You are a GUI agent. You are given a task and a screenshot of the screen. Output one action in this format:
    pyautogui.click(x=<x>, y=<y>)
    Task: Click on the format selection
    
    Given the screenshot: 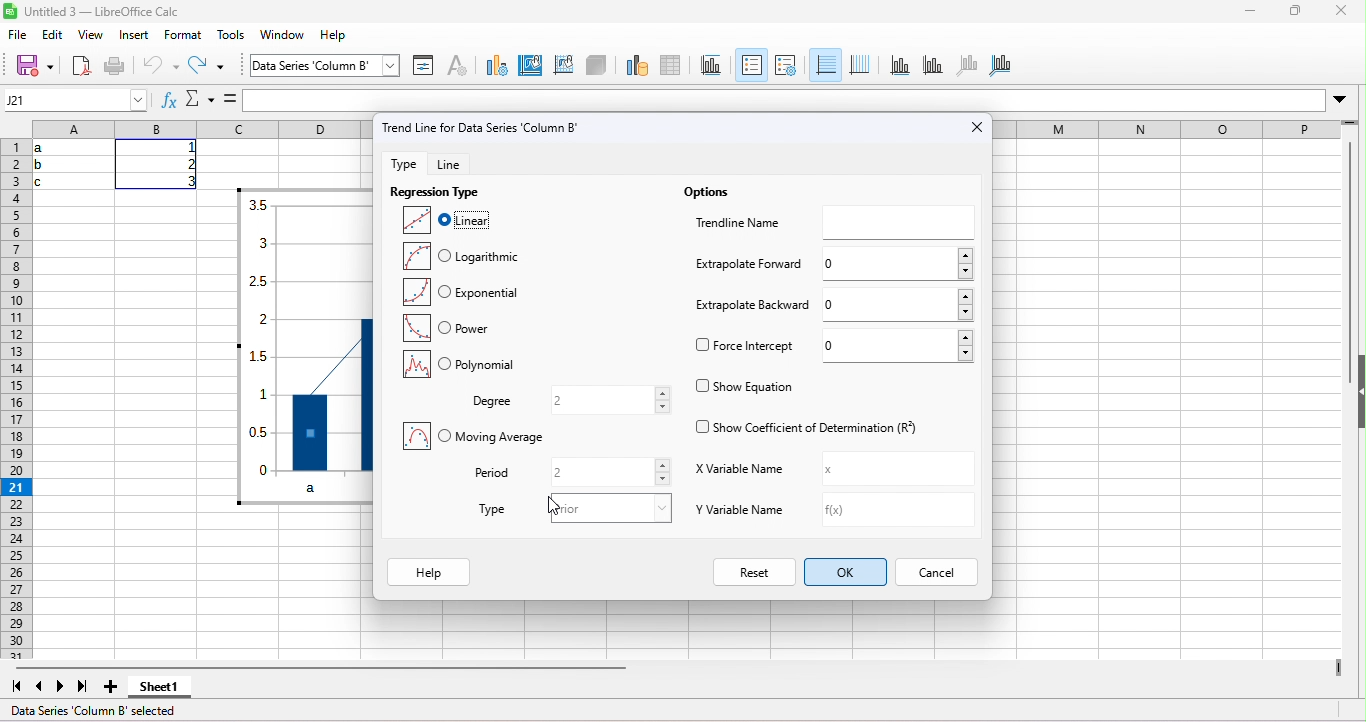 What is the action you would take?
    pyautogui.click(x=428, y=66)
    